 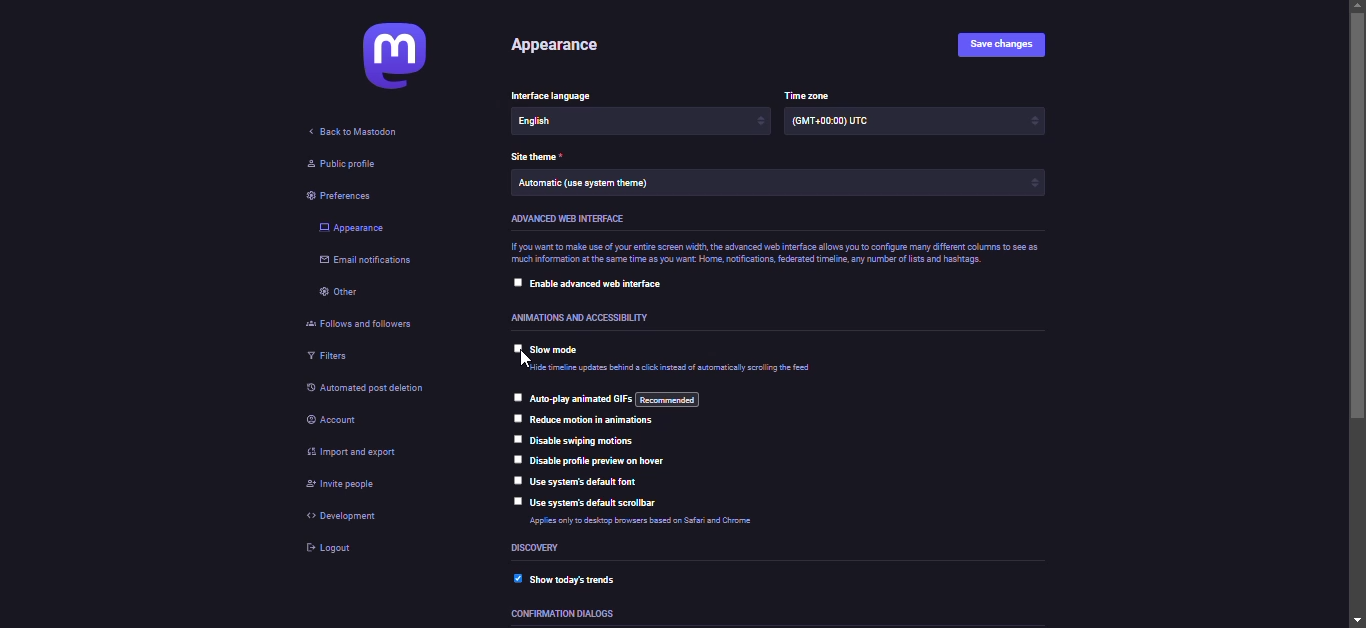 What do you see at coordinates (355, 131) in the screenshot?
I see `back to mastodon` at bounding box center [355, 131].